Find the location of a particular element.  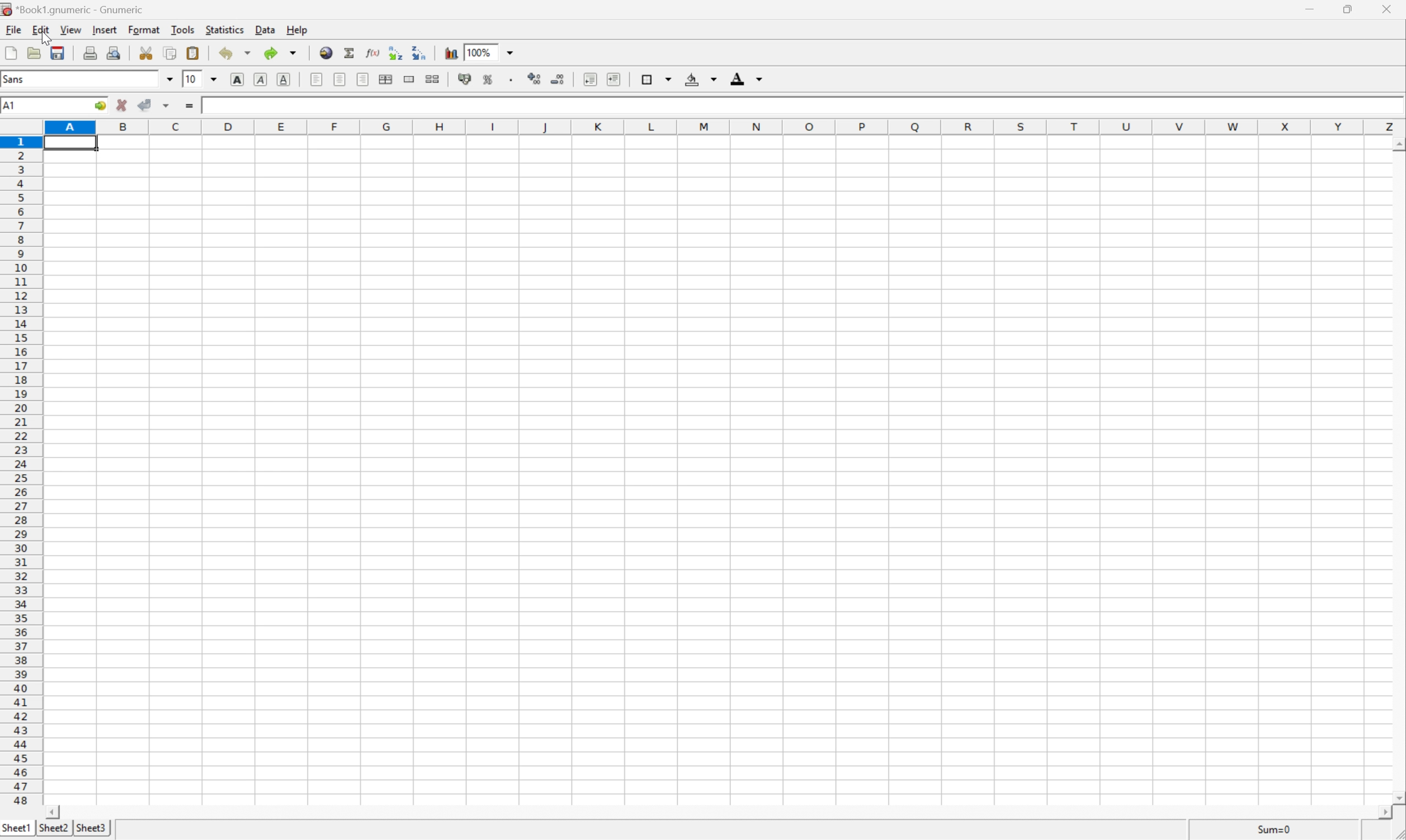

Cell name A1 is located at coordinates (39, 106).